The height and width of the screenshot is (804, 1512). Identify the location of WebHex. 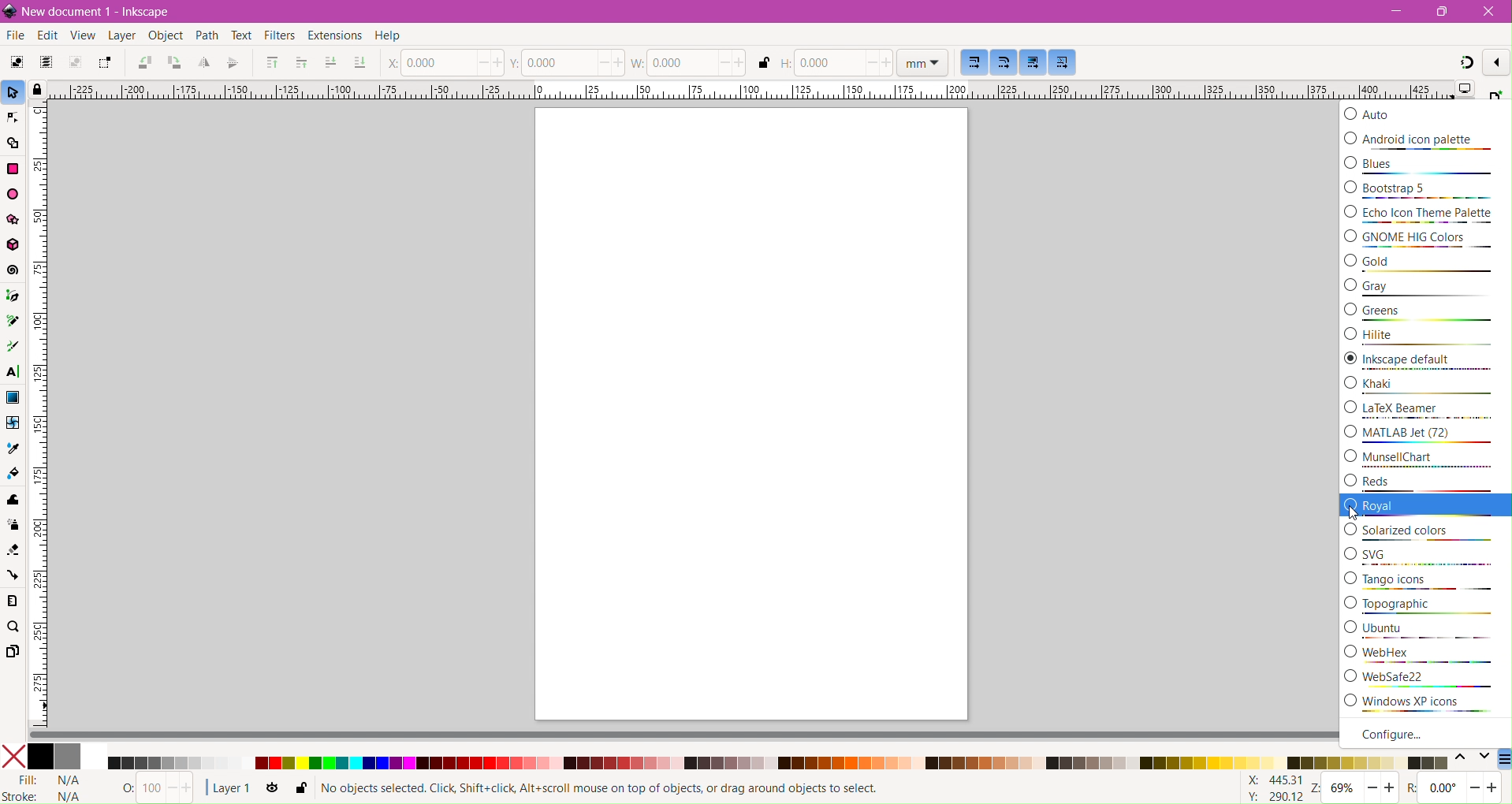
(1427, 657).